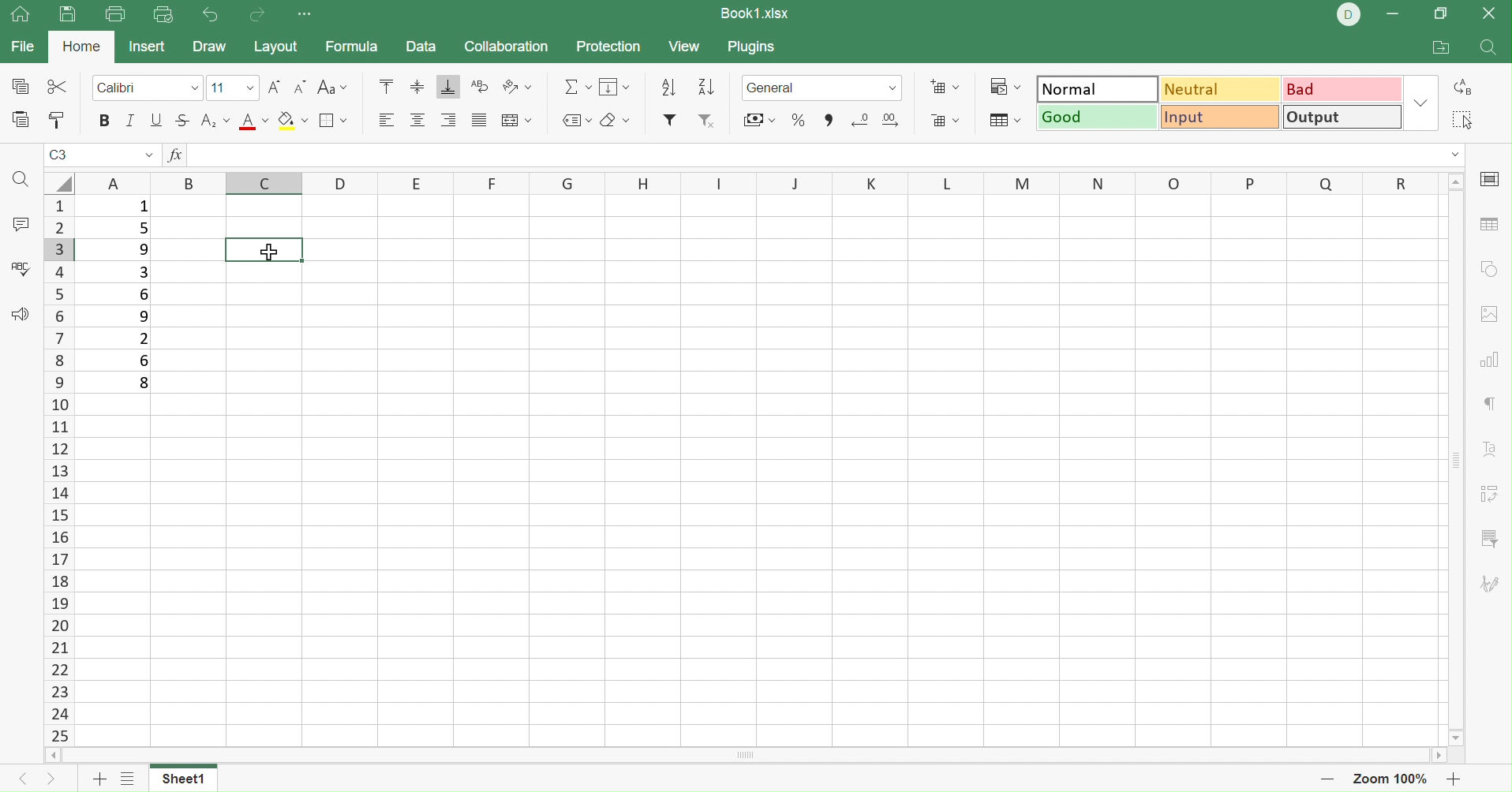  I want to click on 9, so click(144, 317).